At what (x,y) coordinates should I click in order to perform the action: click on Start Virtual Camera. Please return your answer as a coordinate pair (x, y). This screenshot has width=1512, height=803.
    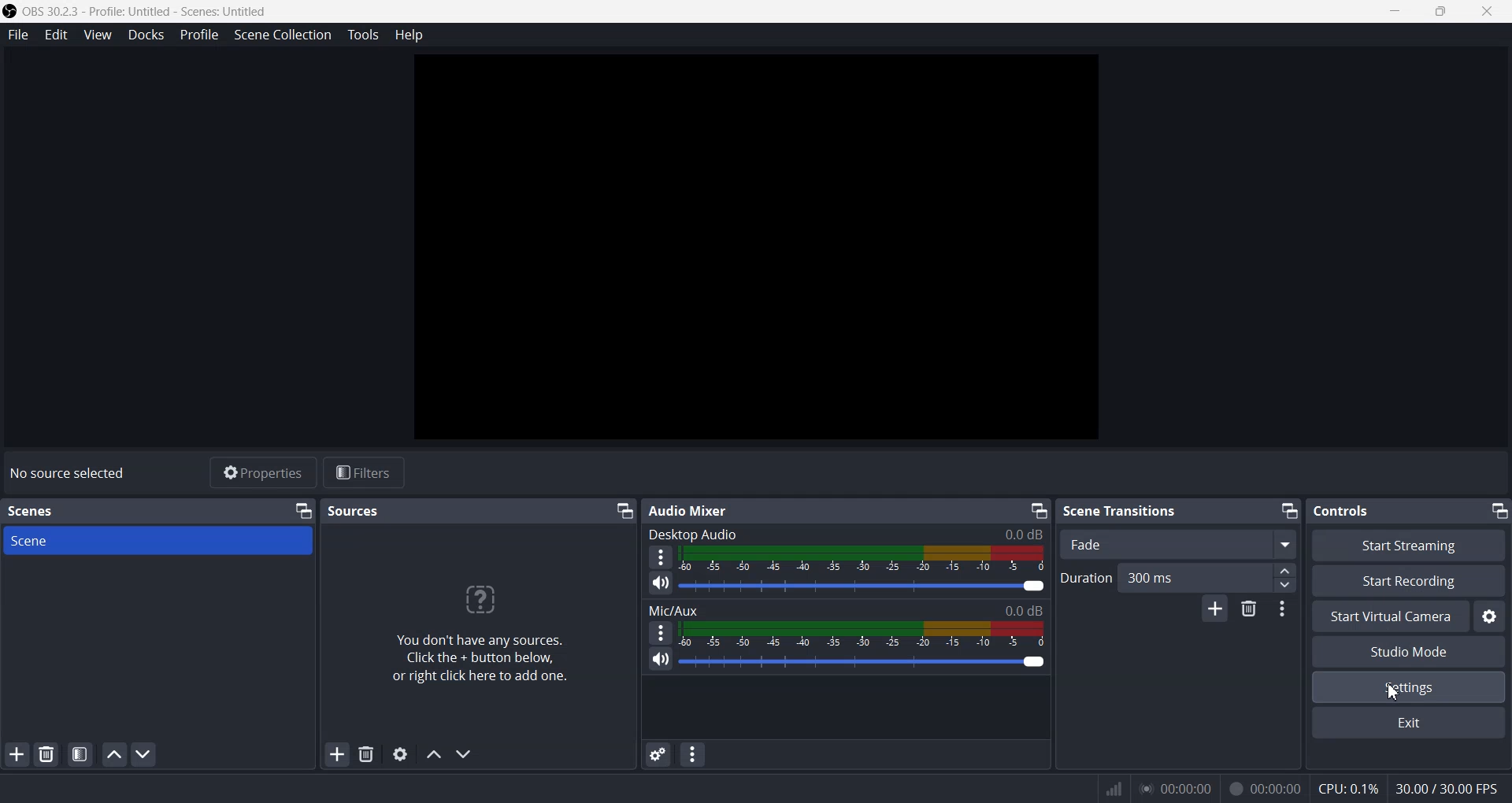
    Looking at the image, I should click on (1390, 616).